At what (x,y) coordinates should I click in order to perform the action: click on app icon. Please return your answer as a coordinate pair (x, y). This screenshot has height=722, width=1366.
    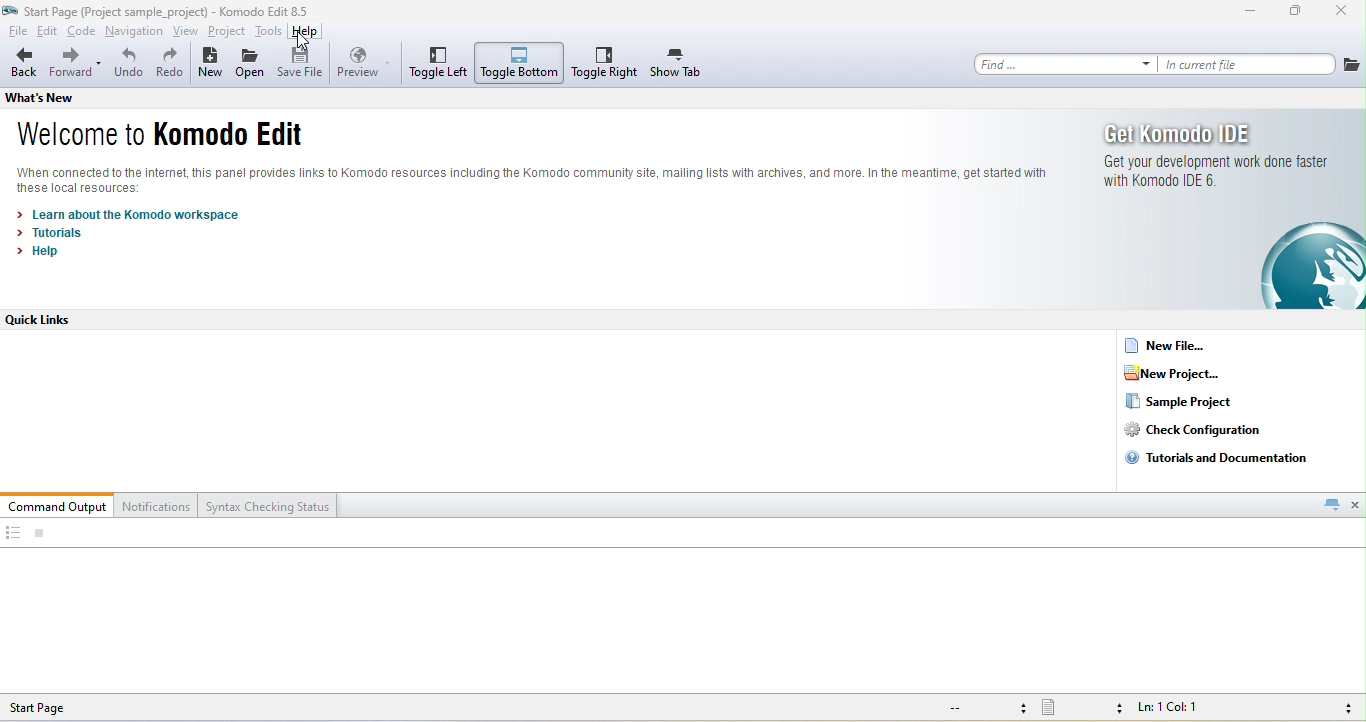
    Looking at the image, I should click on (11, 10).